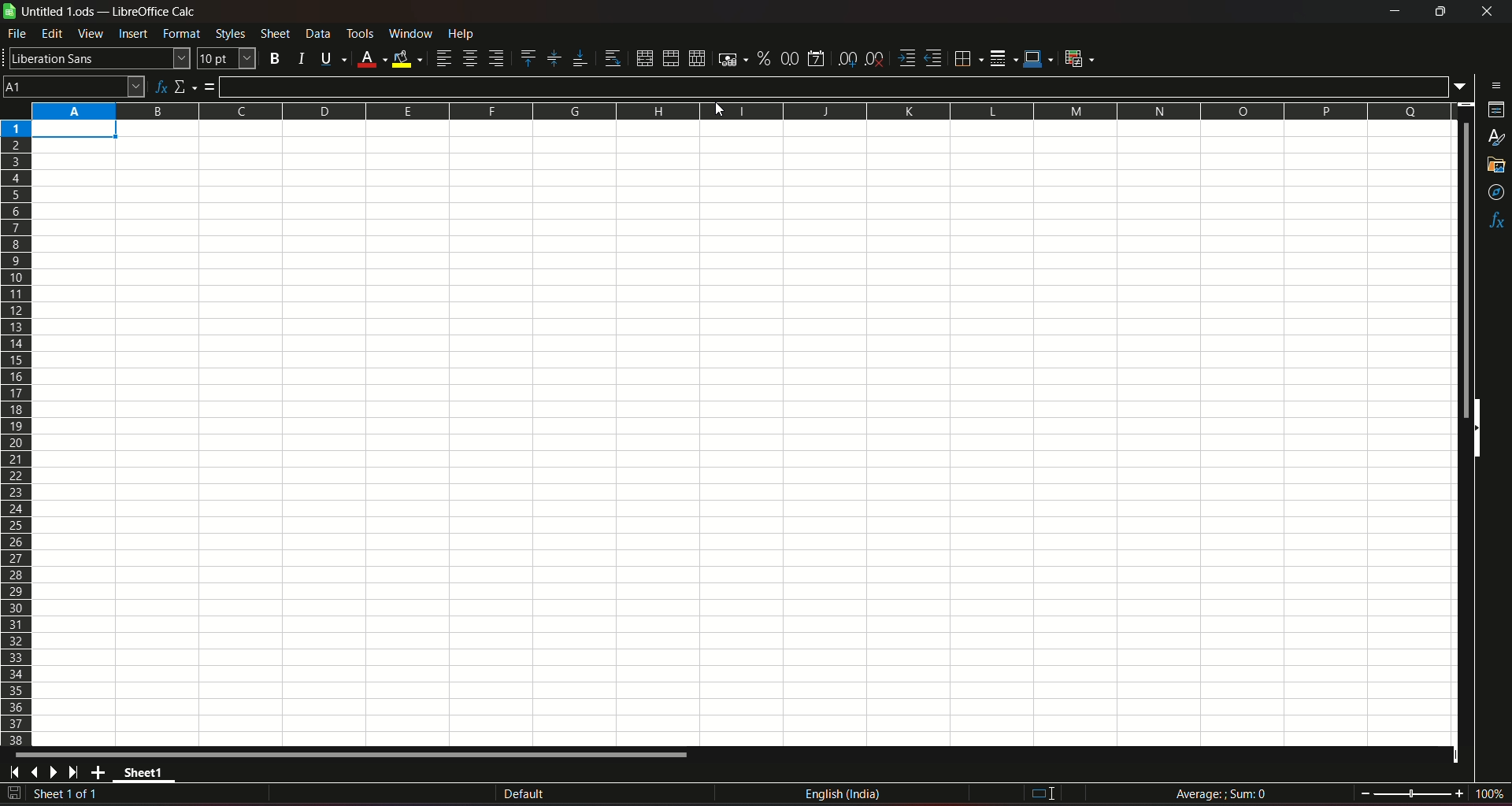 The width and height of the screenshot is (1512, 806). Describe the element at coordinates (212, 87) in the screenshot. I see `formula` at that location.